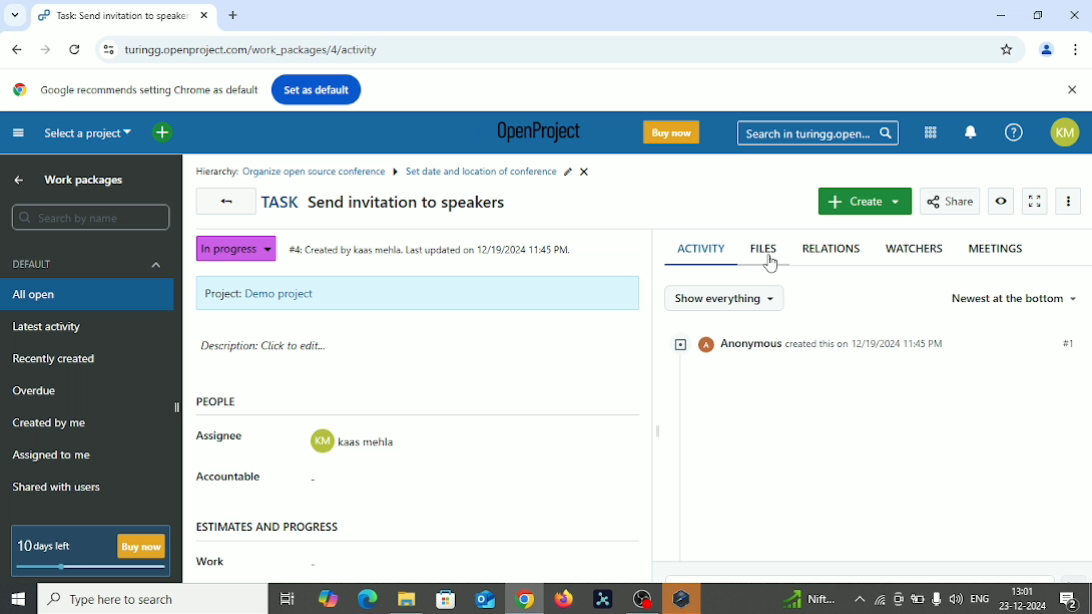  What do you see at coordinates (106, 49) in the screenshot?
I see `View site information` at bounding box center [106, 49].